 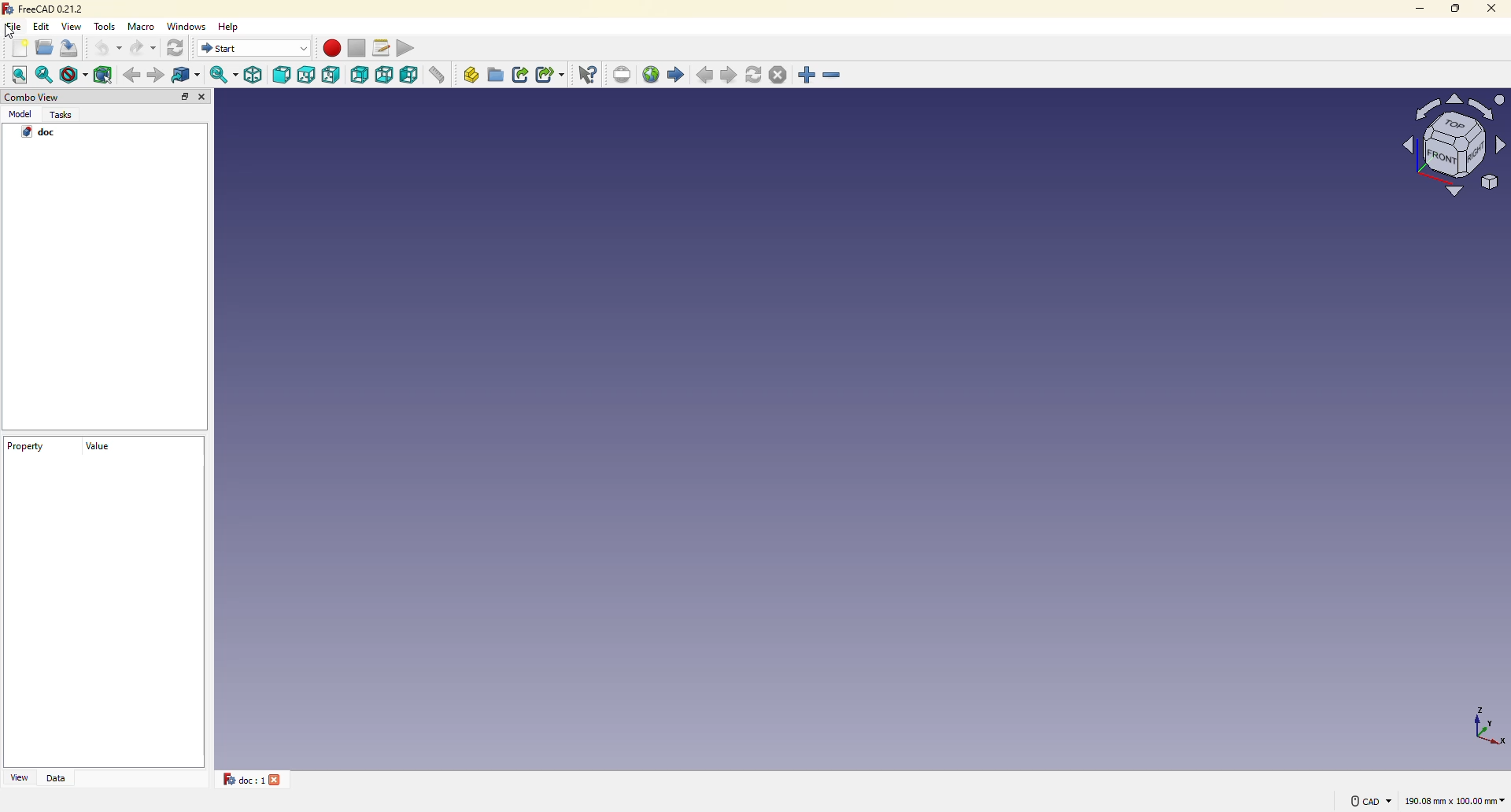 I want to click on view, so click(x=73, y=26).